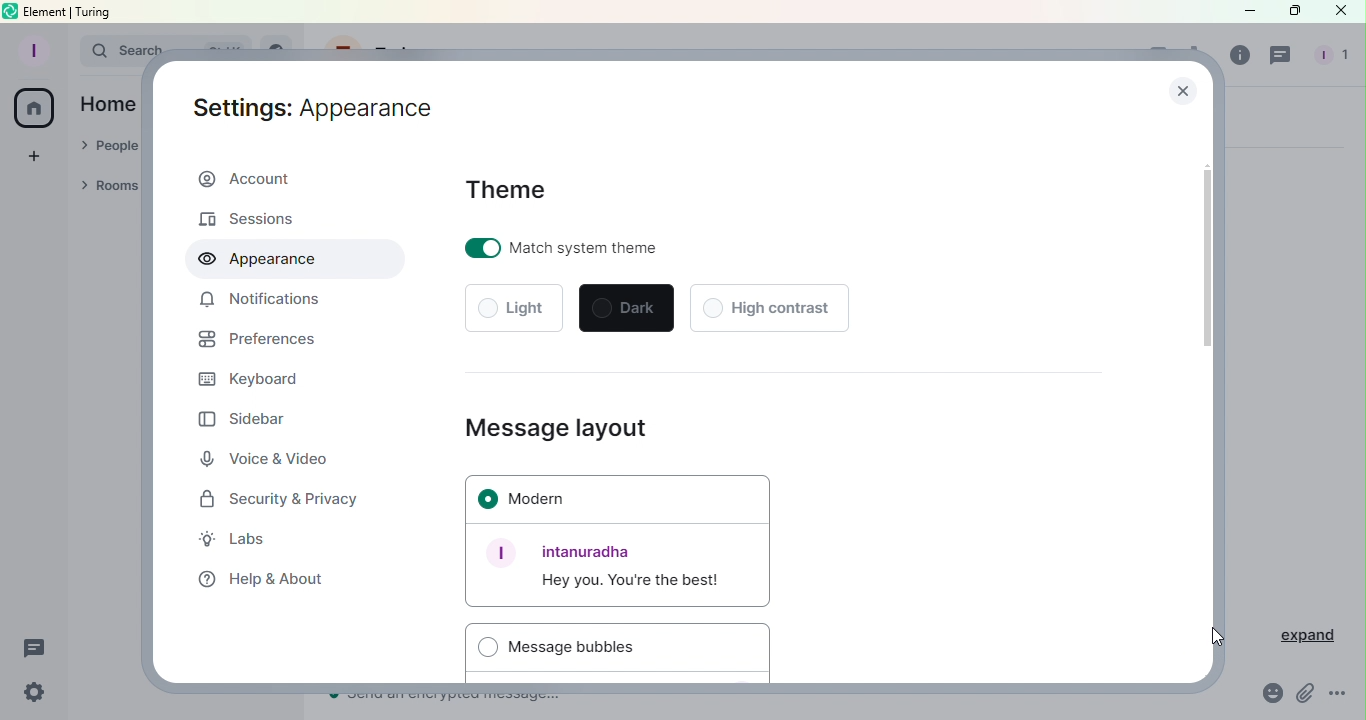 The image size is (1366, 720). I want to click on Voice and video, so click(271, 460).